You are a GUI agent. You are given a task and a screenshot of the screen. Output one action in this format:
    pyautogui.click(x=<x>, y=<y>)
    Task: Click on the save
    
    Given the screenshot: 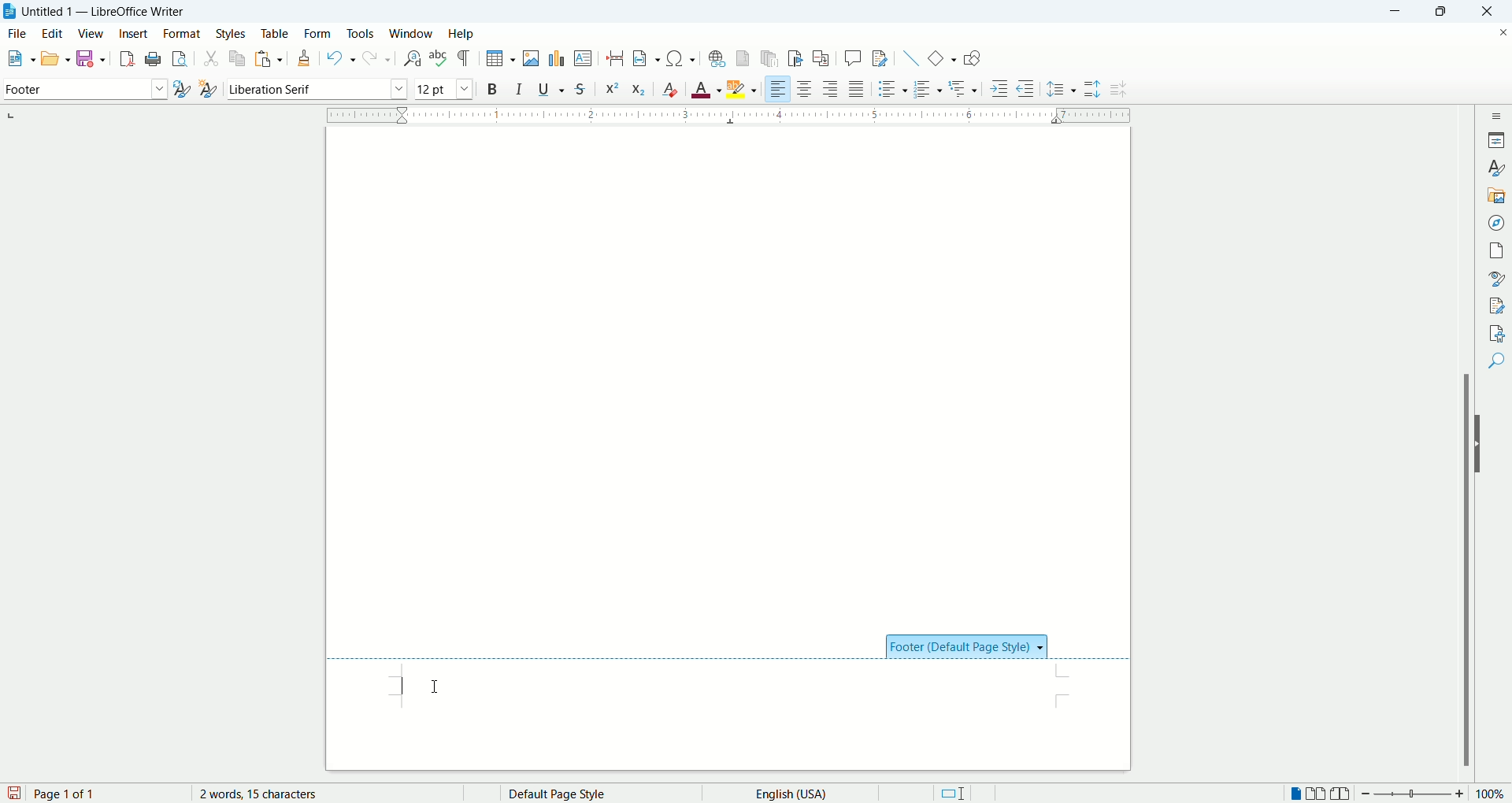 What is the action you would take?
    pyautogui.click(x=93, y=57)
    